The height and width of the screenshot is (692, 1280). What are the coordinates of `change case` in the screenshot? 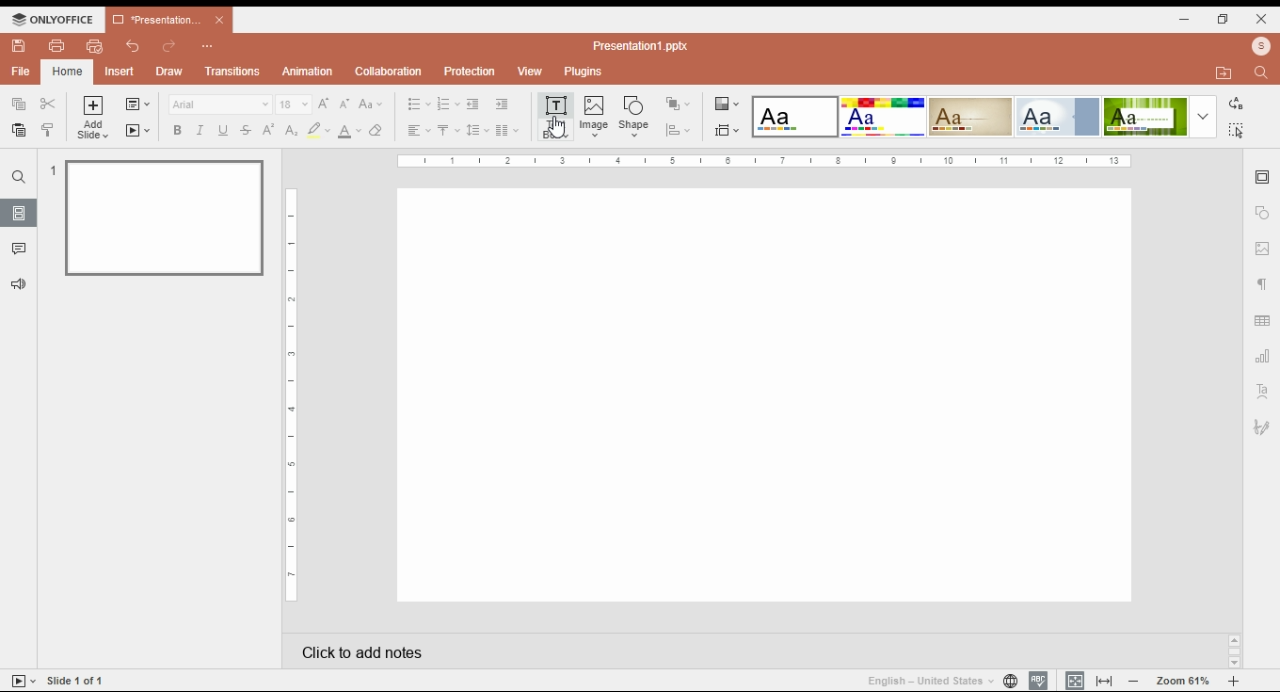 It's located at (370, 104).